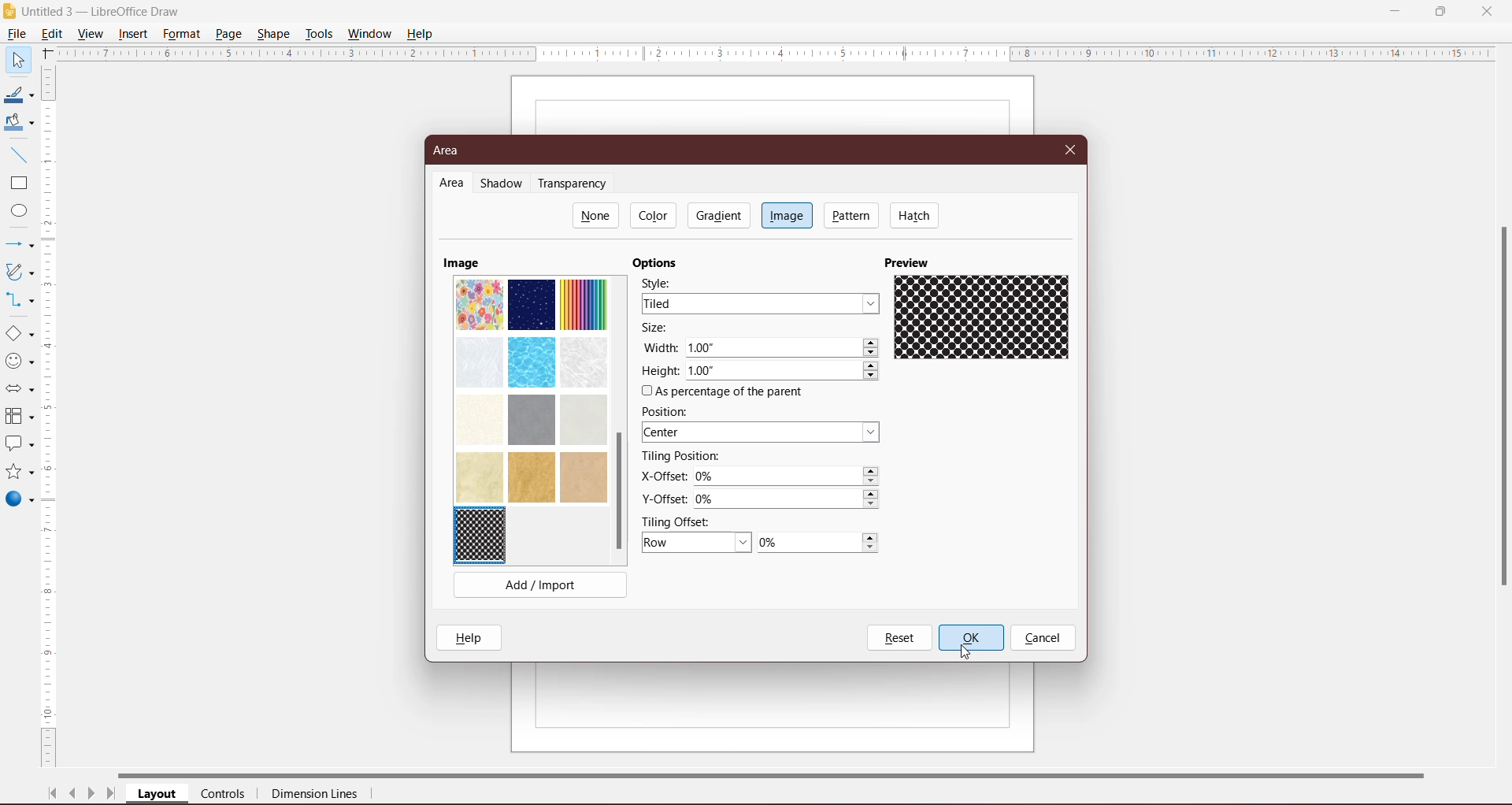  What do you see at coordinates (576, 184) in the screenshot?
I see `Transparency` at bounding box center [576, 184].